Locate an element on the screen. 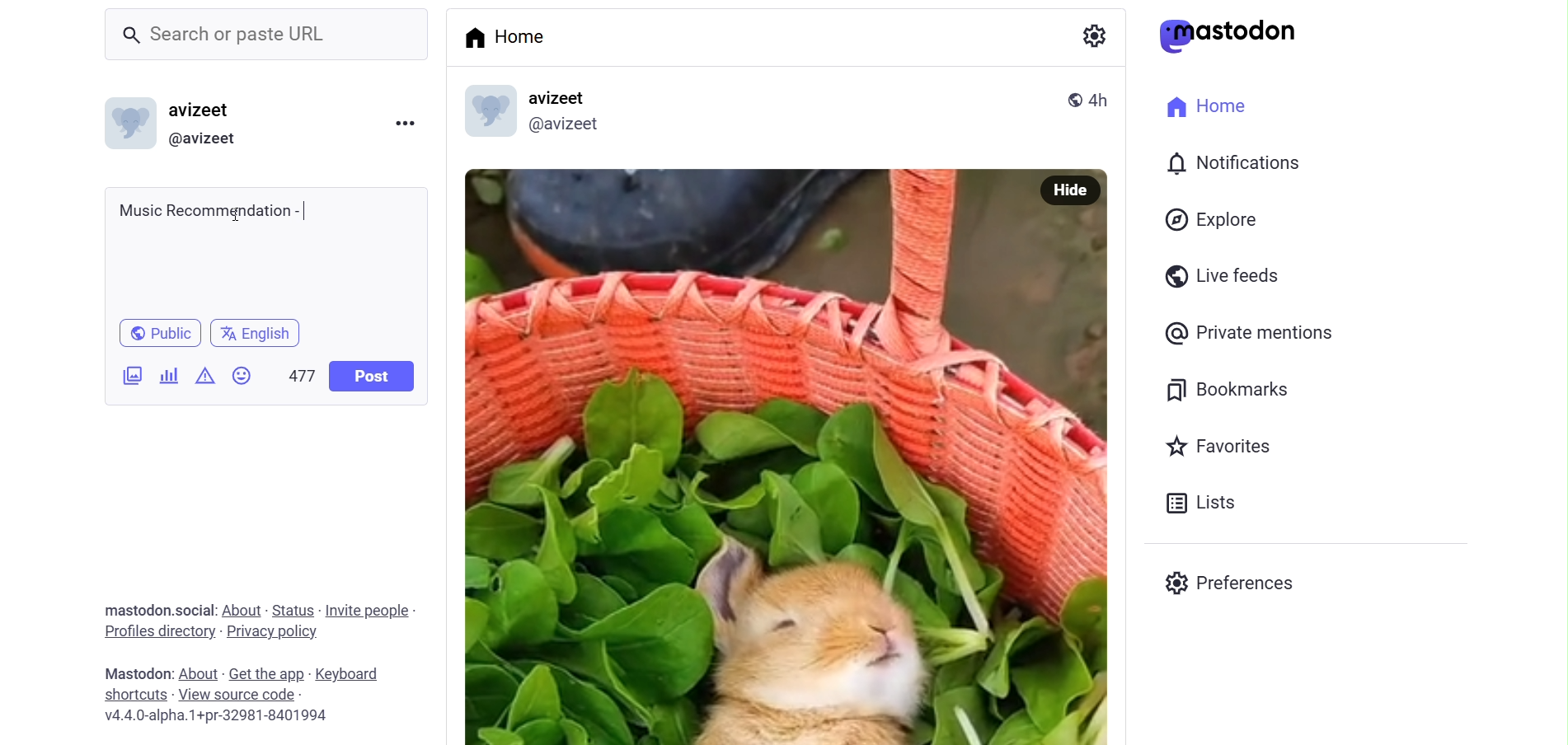 This screenshot has width=1568, height=745. Home is located at coordinates (507, 38).